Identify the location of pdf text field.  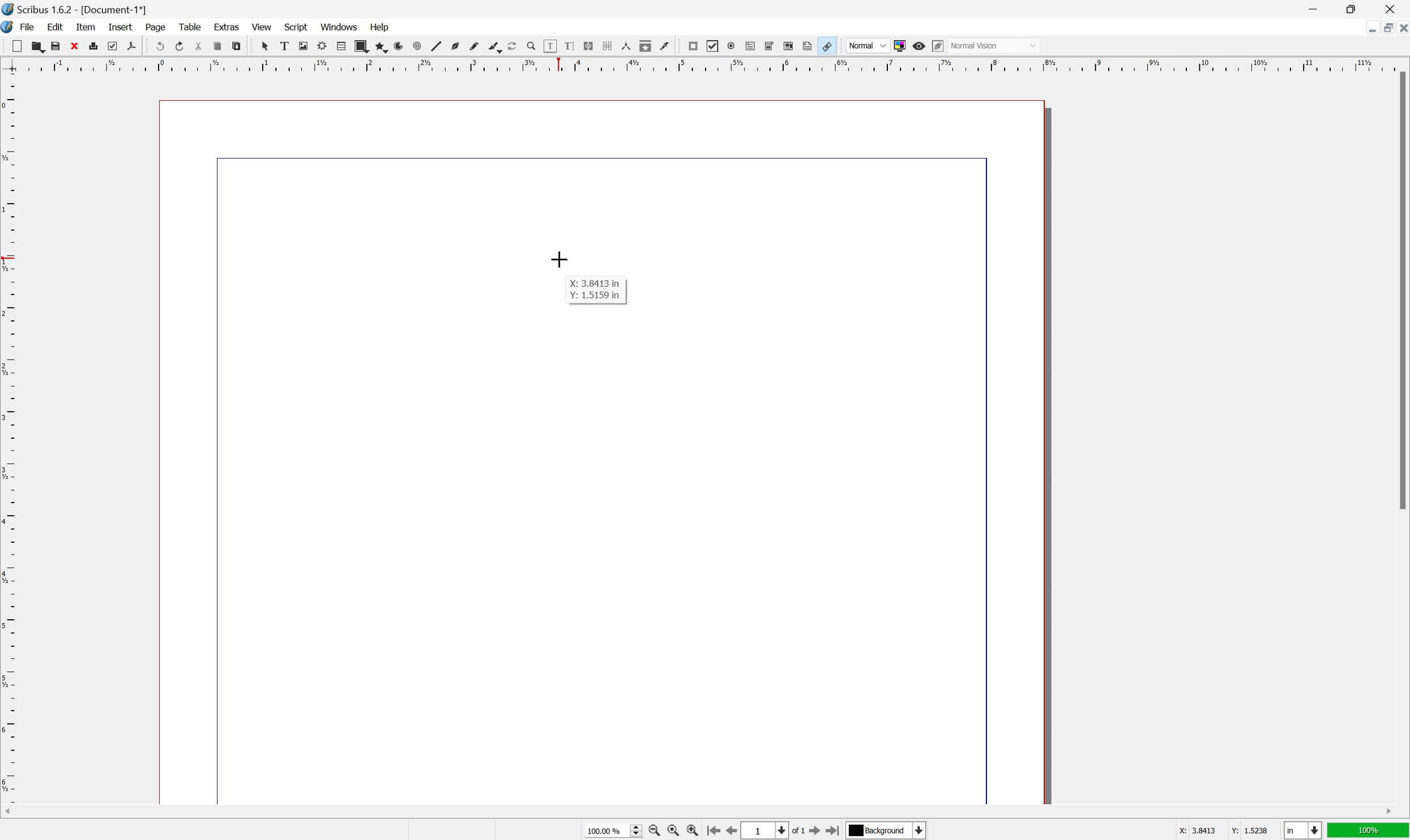
(750, 46).